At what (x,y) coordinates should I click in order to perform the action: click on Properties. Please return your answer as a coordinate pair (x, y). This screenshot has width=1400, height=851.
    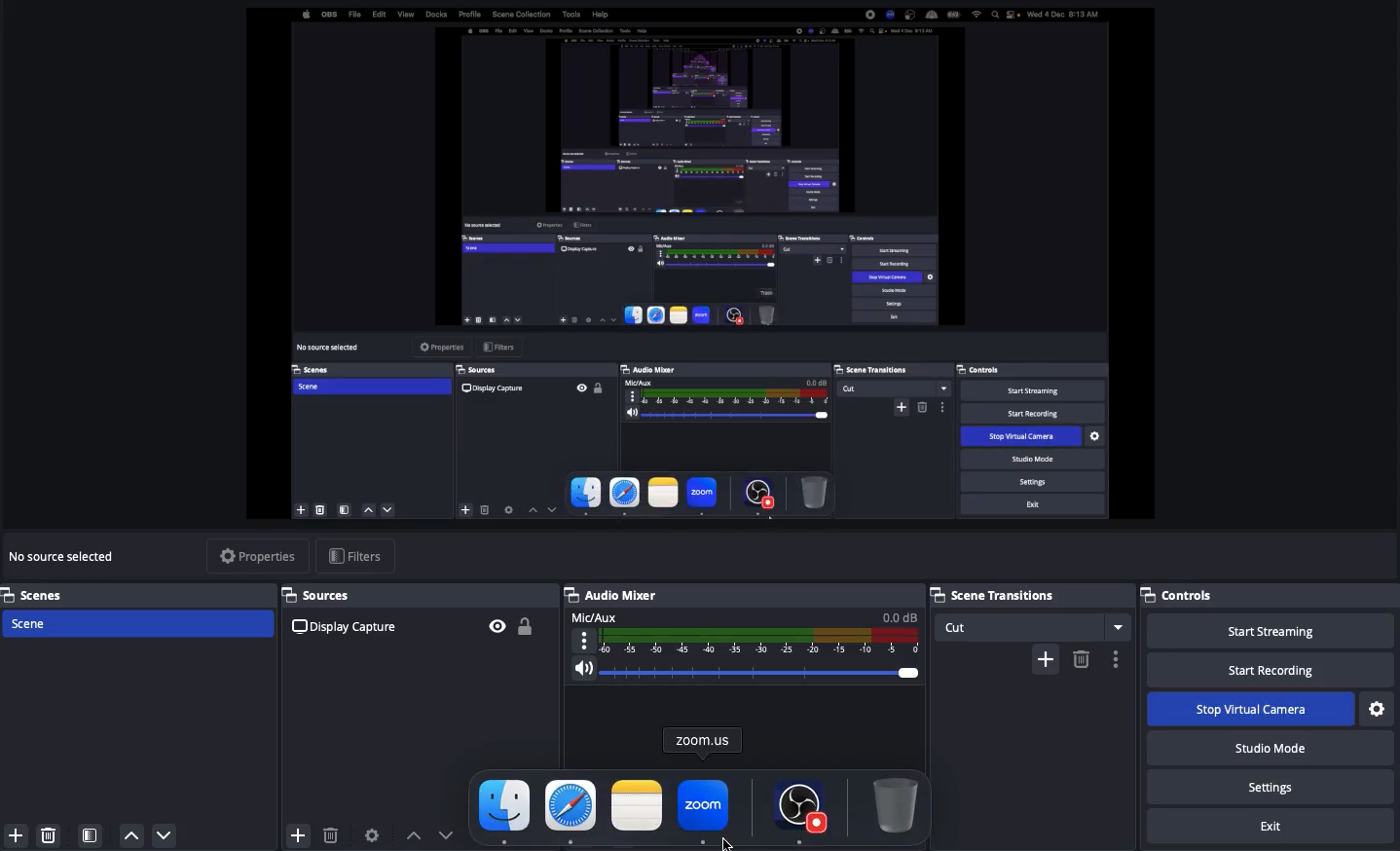
    Looking at the image, I should click on (258, 553).